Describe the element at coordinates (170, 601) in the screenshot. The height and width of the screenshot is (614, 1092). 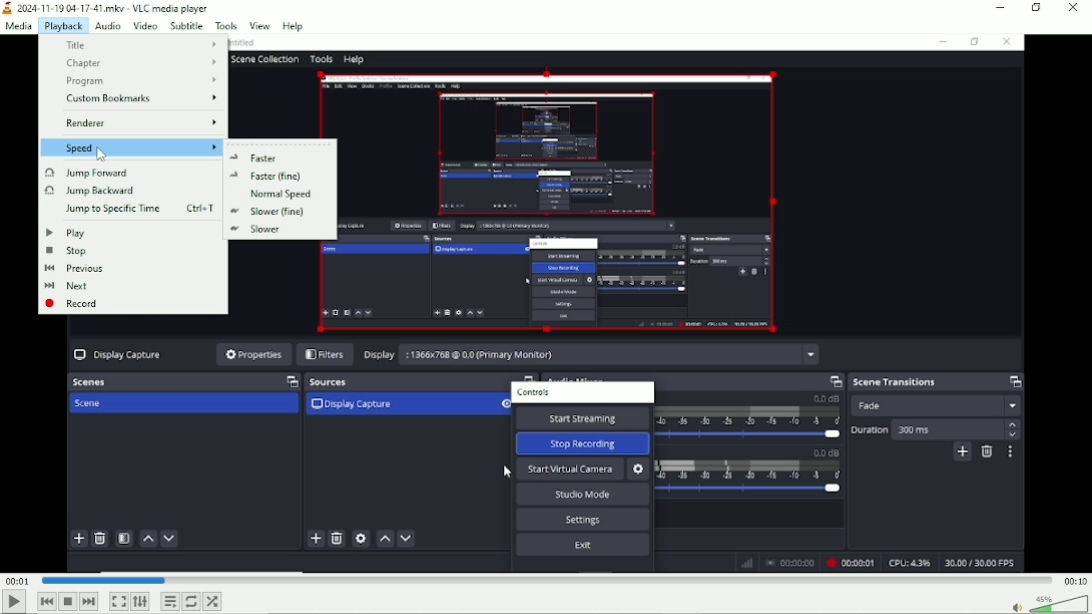
I see `Toggle playlist` at that location.